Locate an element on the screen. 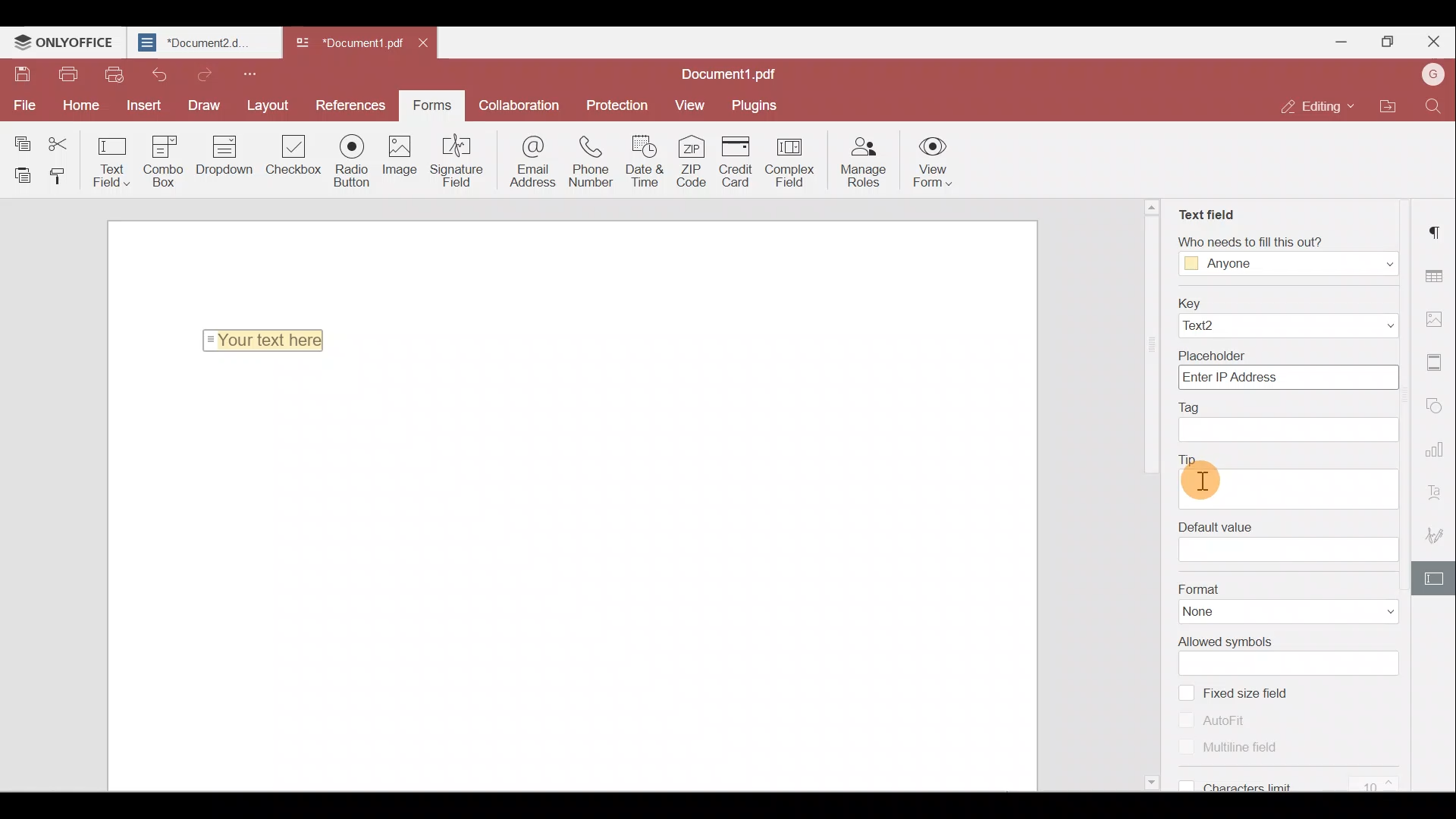 The image size is (1456, 819). checkbox is located at coordinates (1187, 719).